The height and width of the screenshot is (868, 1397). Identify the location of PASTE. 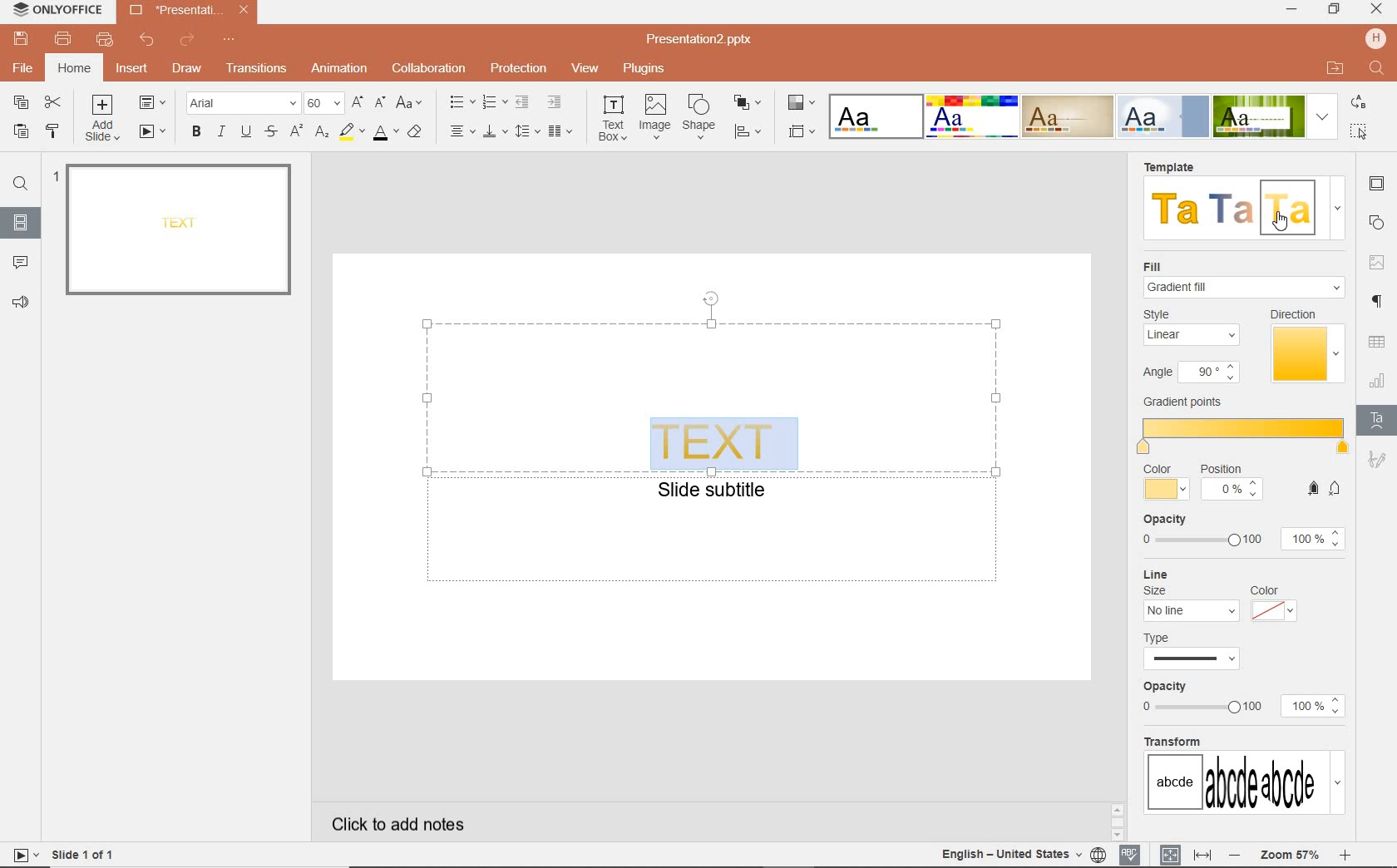
(17, 132).